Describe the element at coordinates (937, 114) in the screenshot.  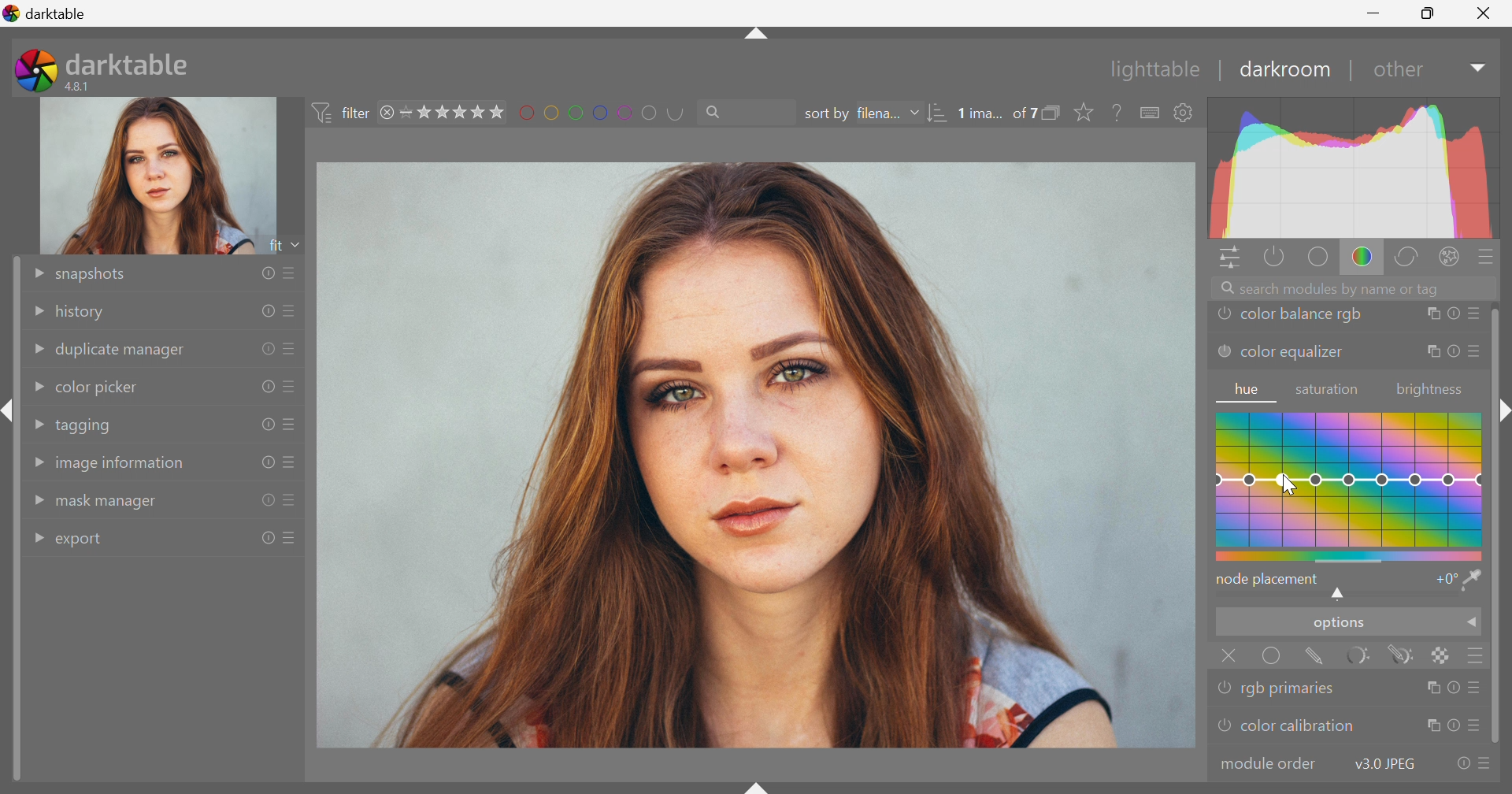
I see `sort` at that location.